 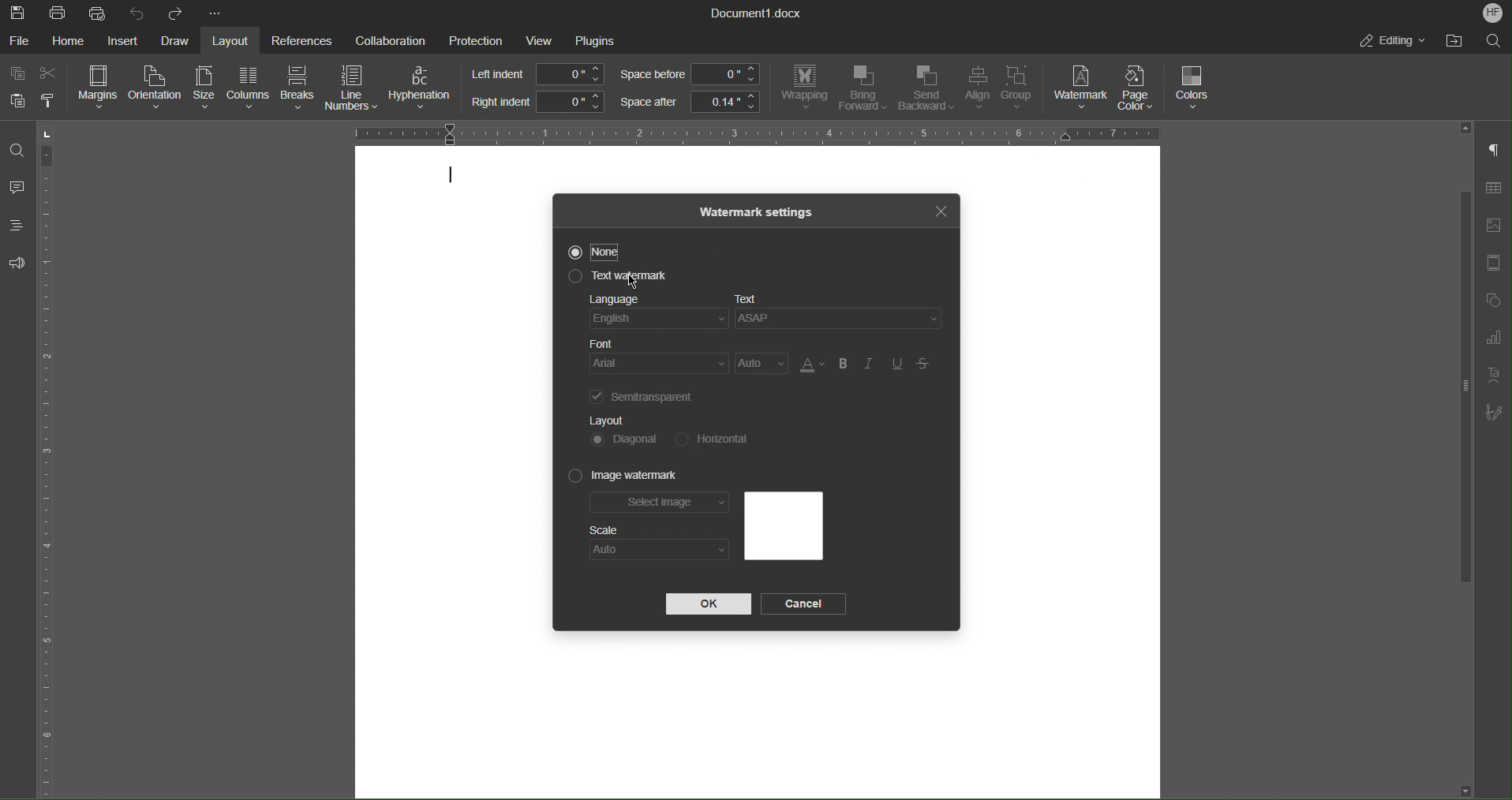 I want to click on Account, so click(x=1493, y=13).